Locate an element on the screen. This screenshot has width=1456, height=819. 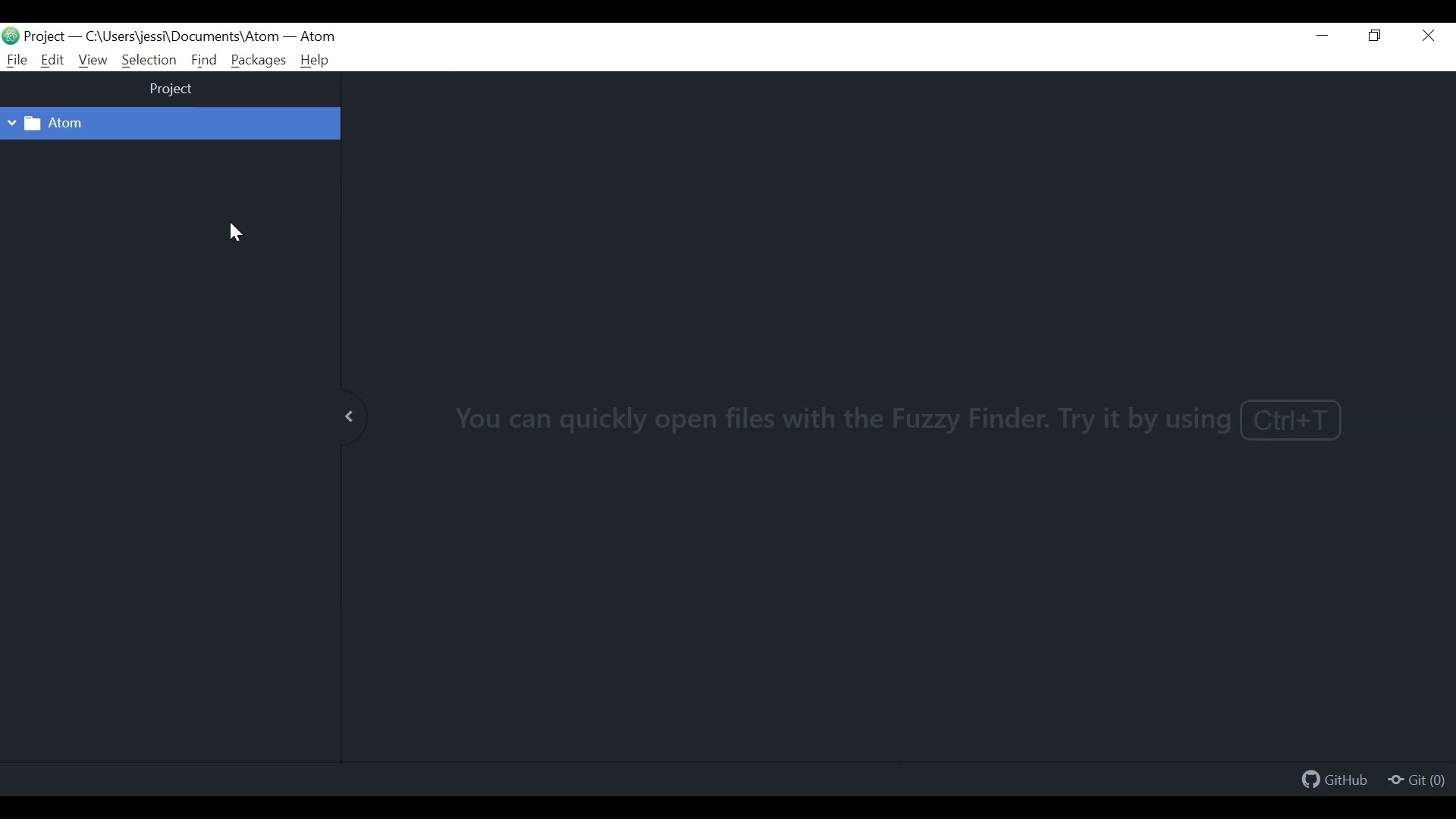
Projects is located at coordinates (46, 36).